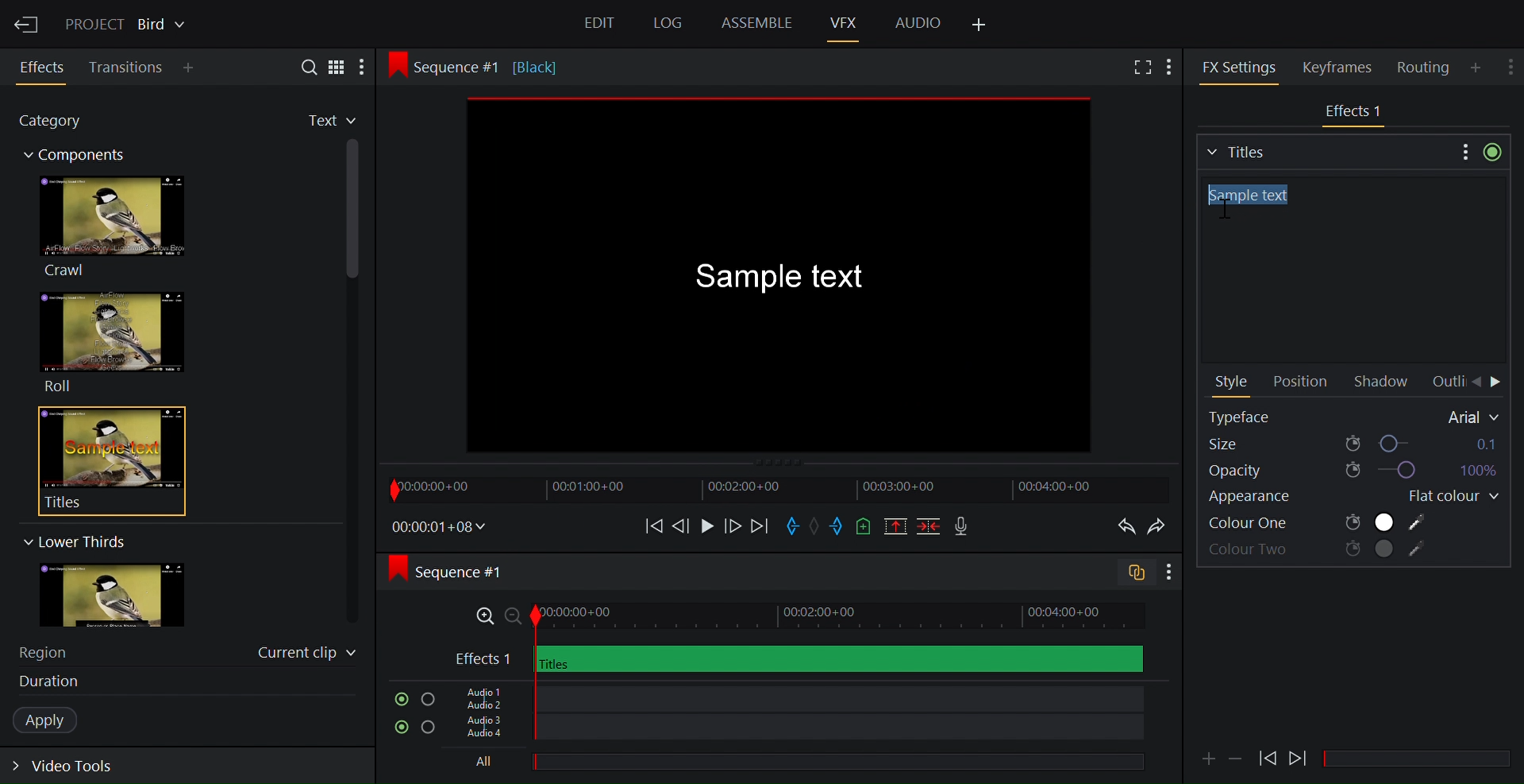 The height and width of the screenshot is (784, 1524). Describe the element at coordinates (918, 21) in the screenshot. I see `Audio` at that location.